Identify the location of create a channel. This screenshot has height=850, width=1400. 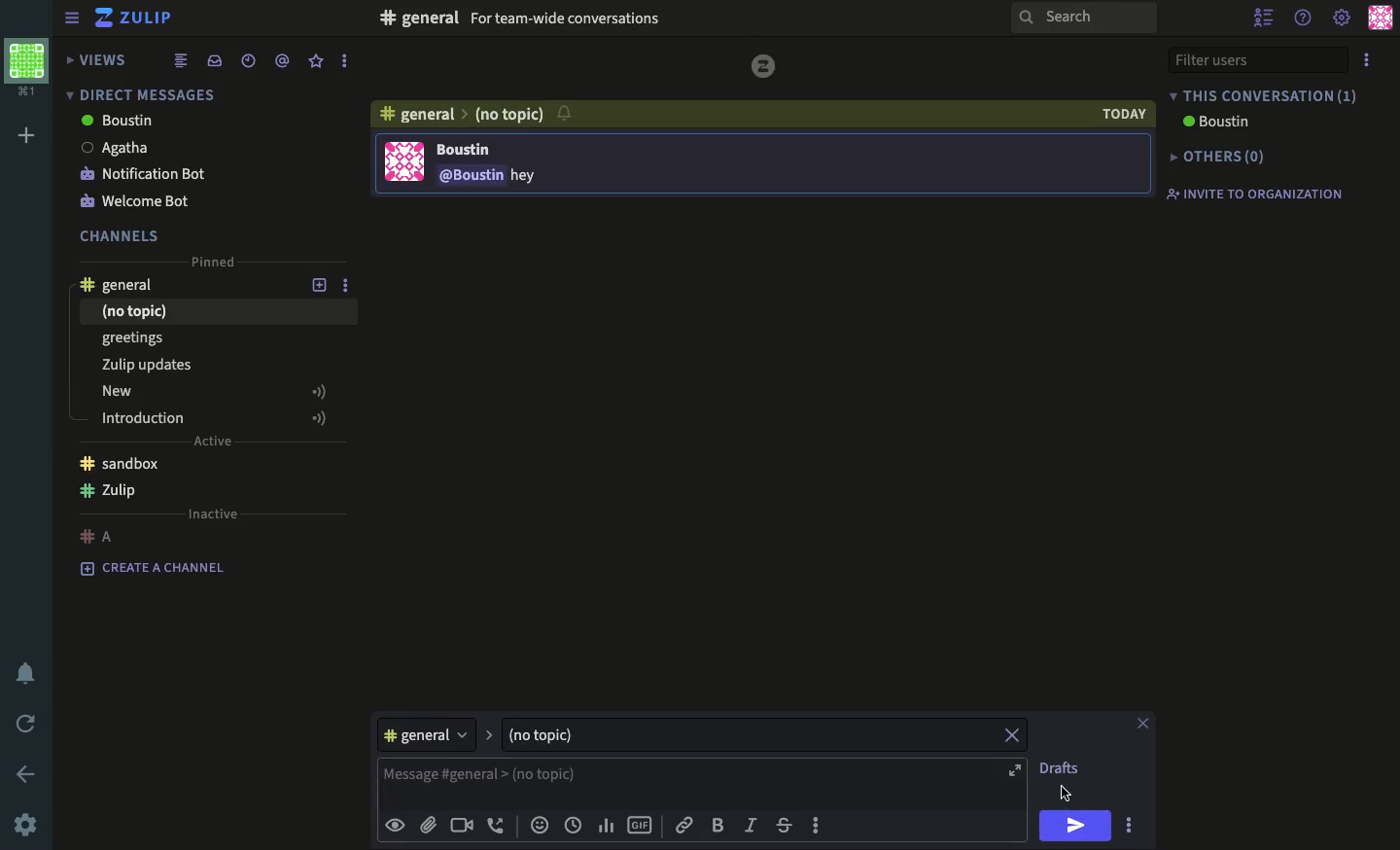
(153, 566).